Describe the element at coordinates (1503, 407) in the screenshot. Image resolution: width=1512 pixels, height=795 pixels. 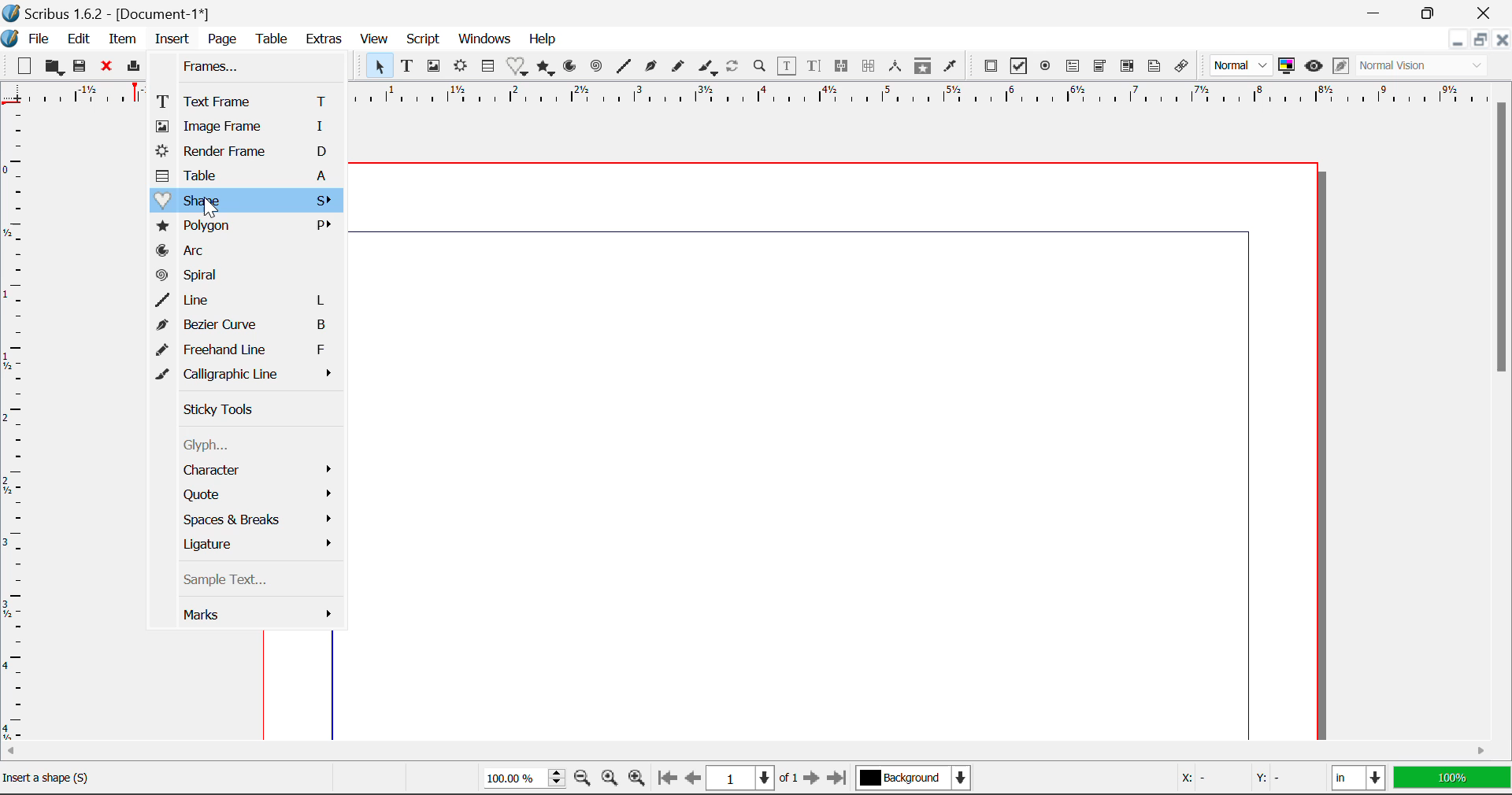
I see `Scroll Bar` at that location.